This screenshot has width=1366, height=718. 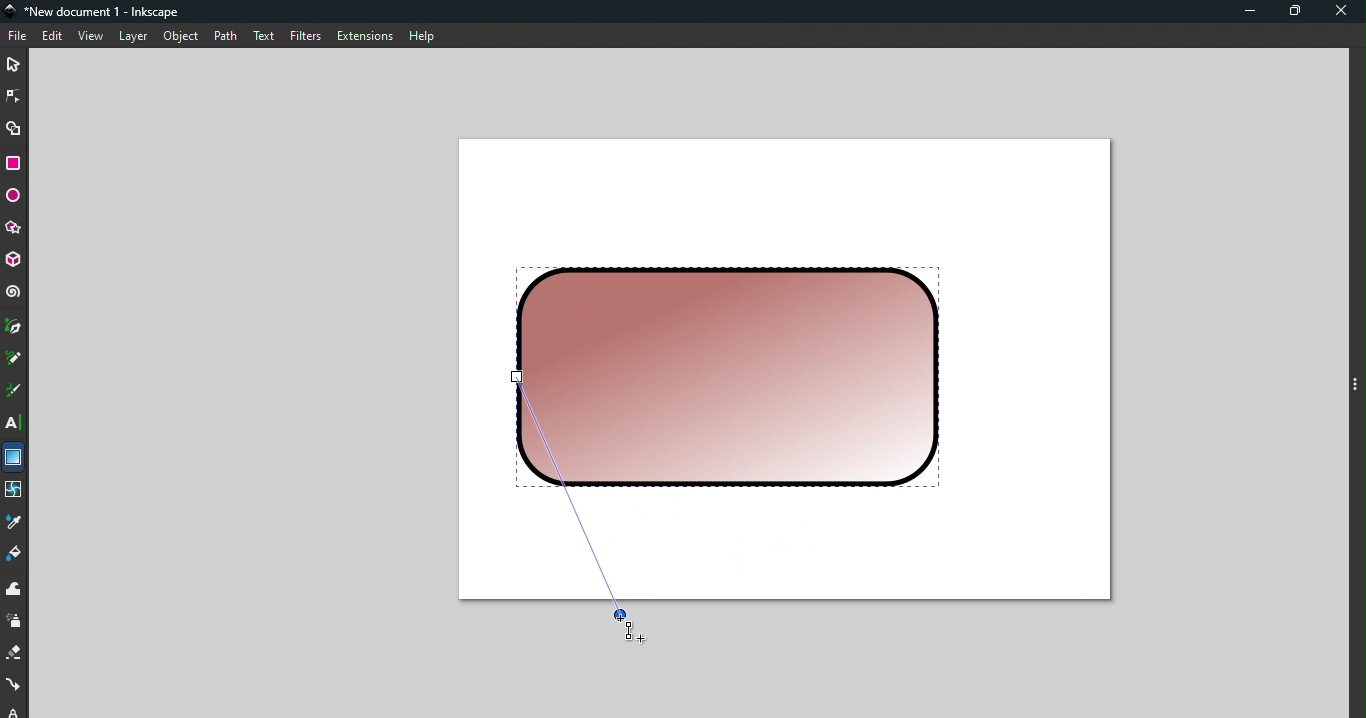 What do you see at coordinates (14, 328) in the screenshot?
I see `Pen tool` at bounding box center [14, 328].